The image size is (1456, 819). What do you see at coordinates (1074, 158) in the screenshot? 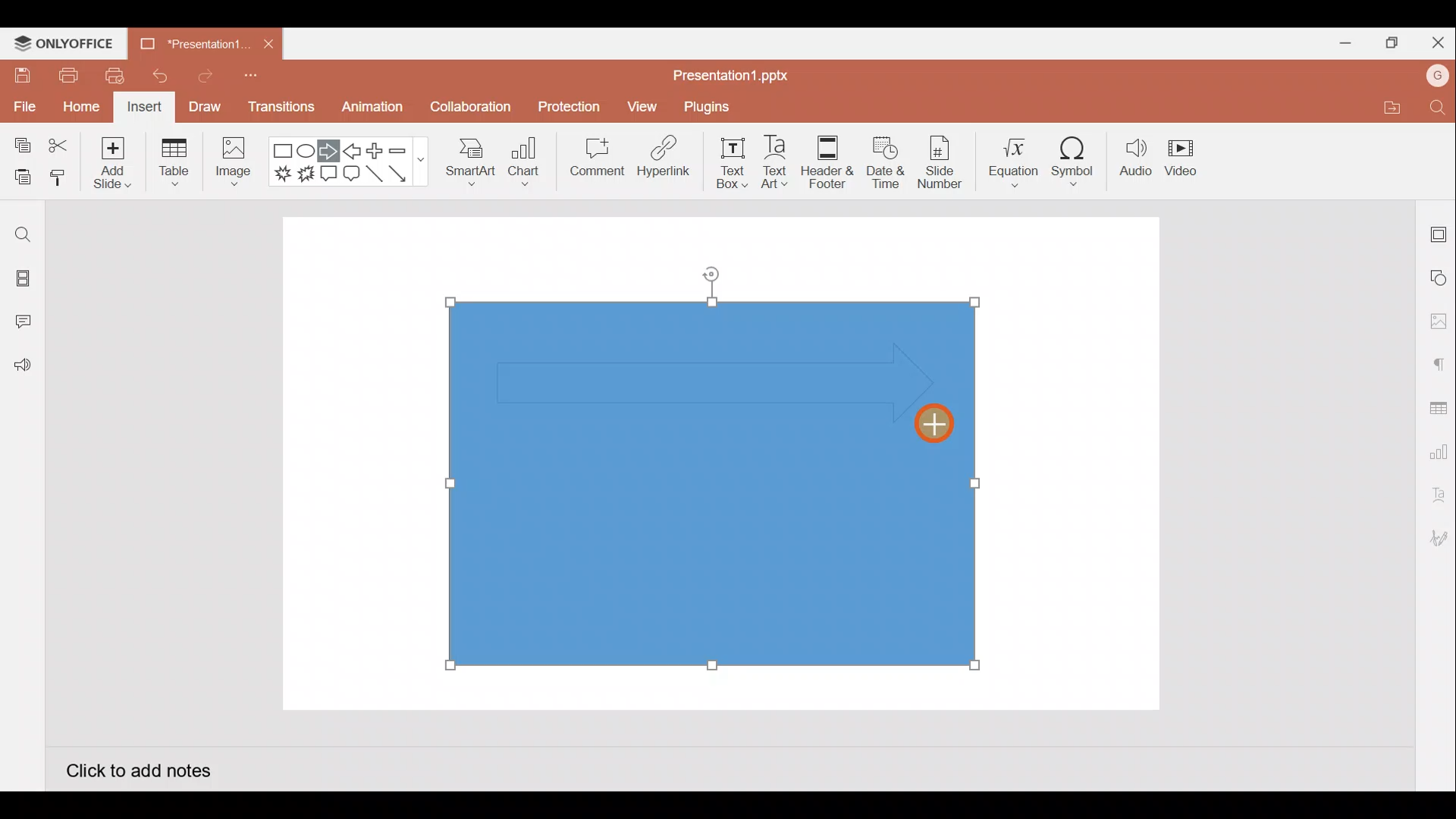
I see `Symbol` at bounding box center [1074, 158].